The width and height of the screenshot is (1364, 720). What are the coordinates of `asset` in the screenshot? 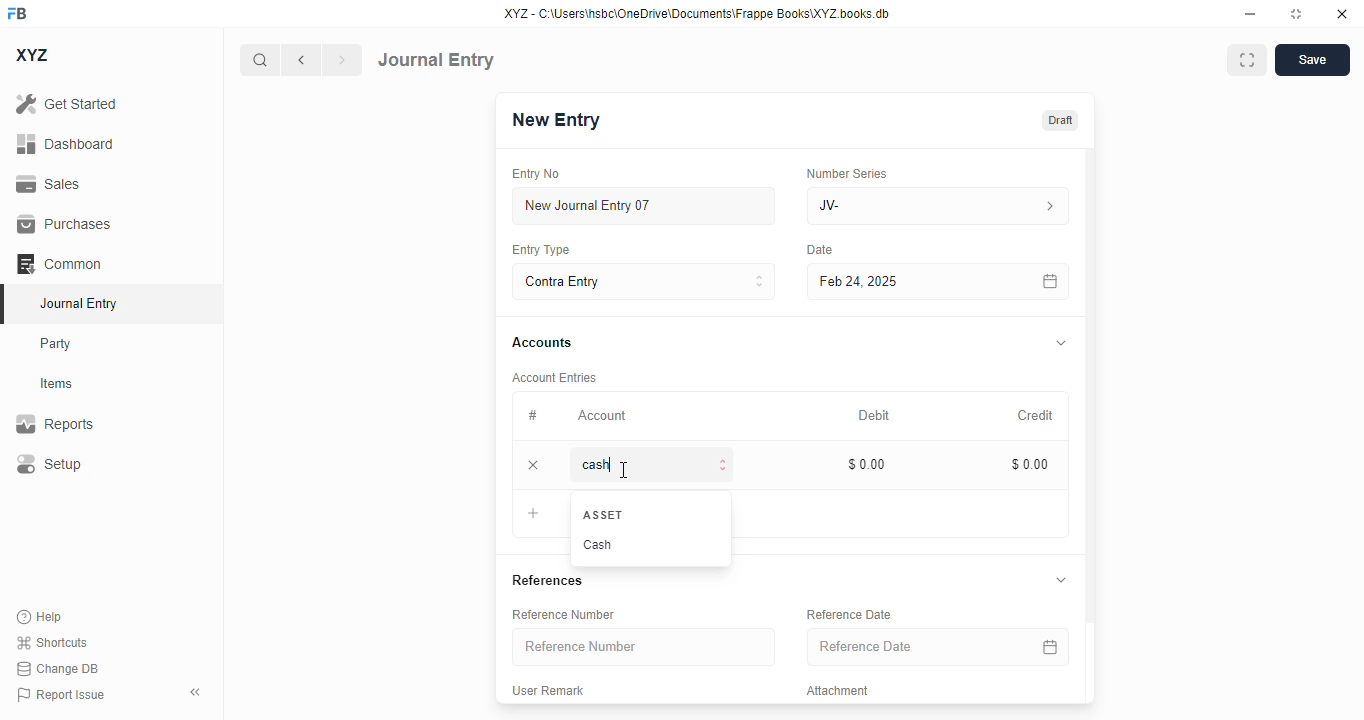 It's located at (604, 514).